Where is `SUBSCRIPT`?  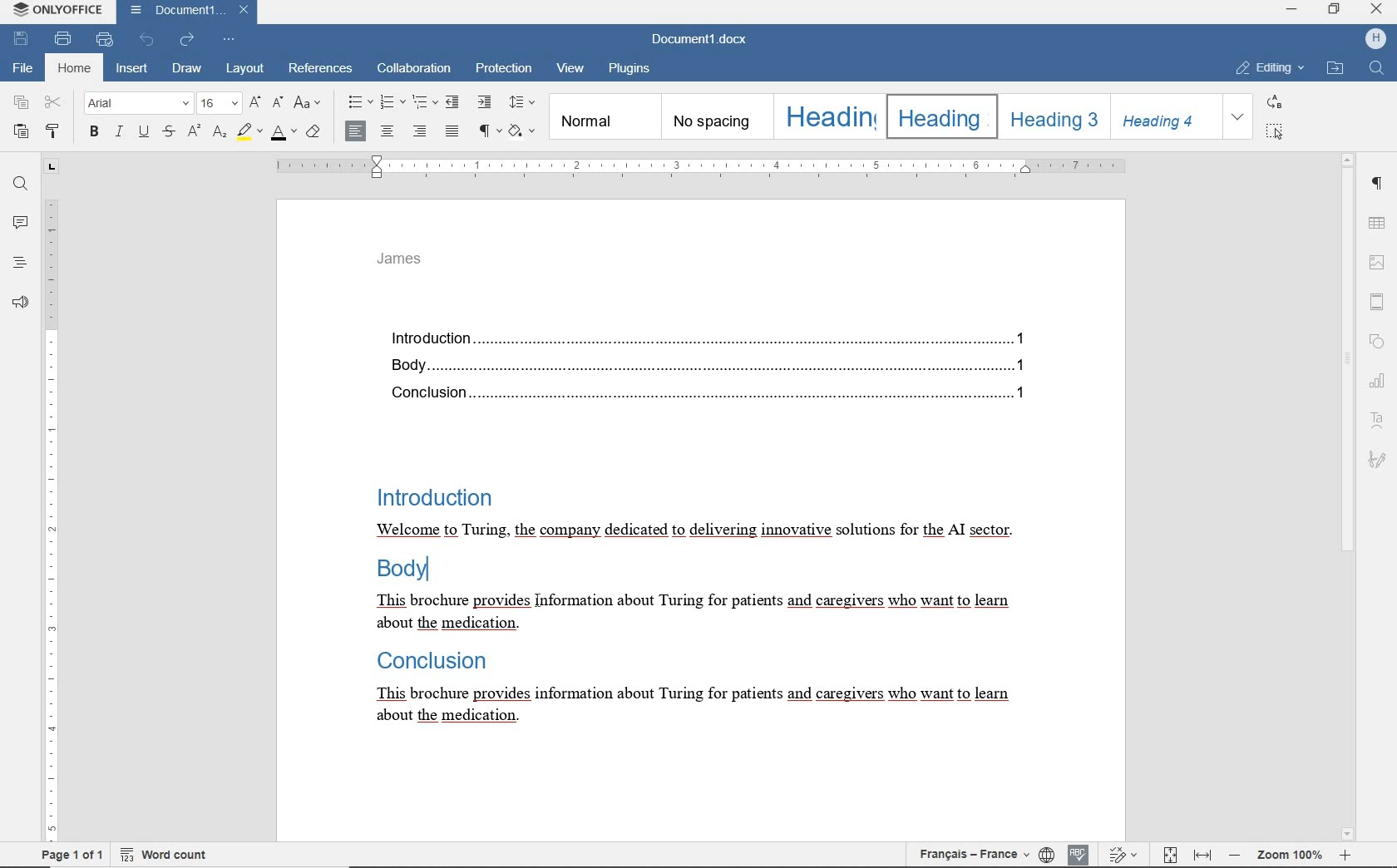 SUBSCRIPT is located at coordinates (219, 133).